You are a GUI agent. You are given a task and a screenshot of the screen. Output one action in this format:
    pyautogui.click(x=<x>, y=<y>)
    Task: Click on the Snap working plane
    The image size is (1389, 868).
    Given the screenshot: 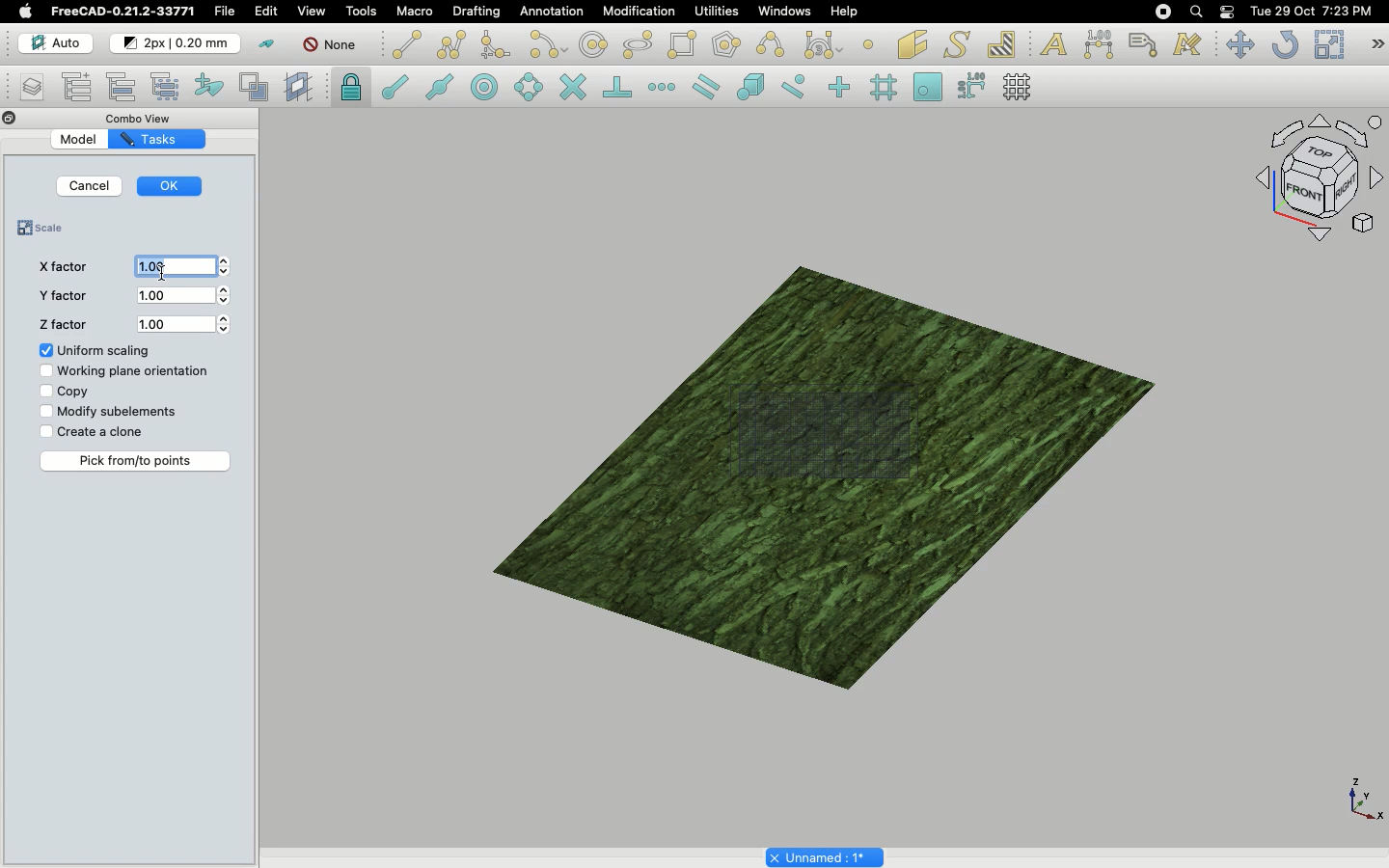 What is the action you would take?
    pyautogui.click(x=925, y=84)
    